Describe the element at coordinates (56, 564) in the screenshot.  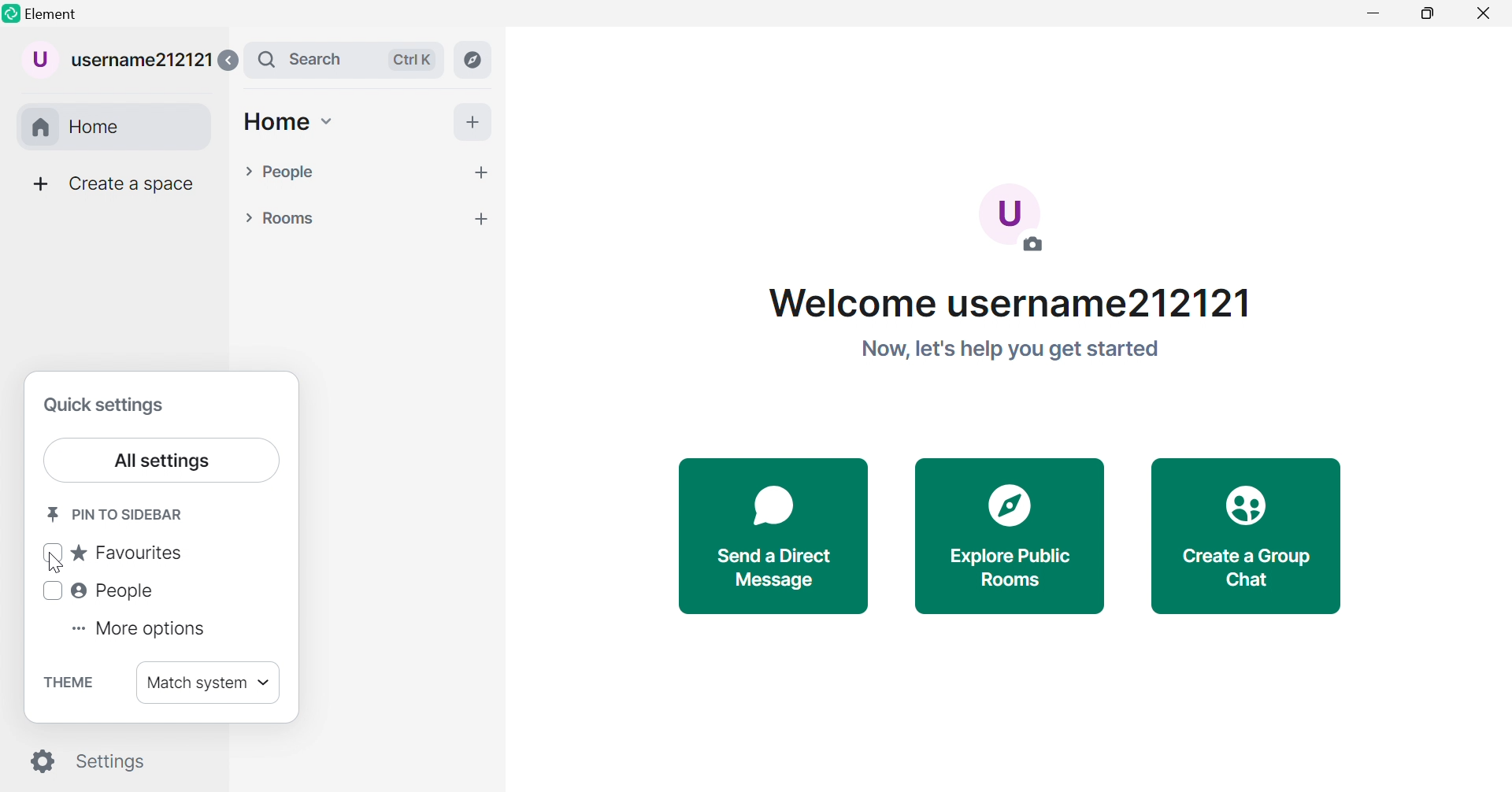
I see `cursor` at that location.